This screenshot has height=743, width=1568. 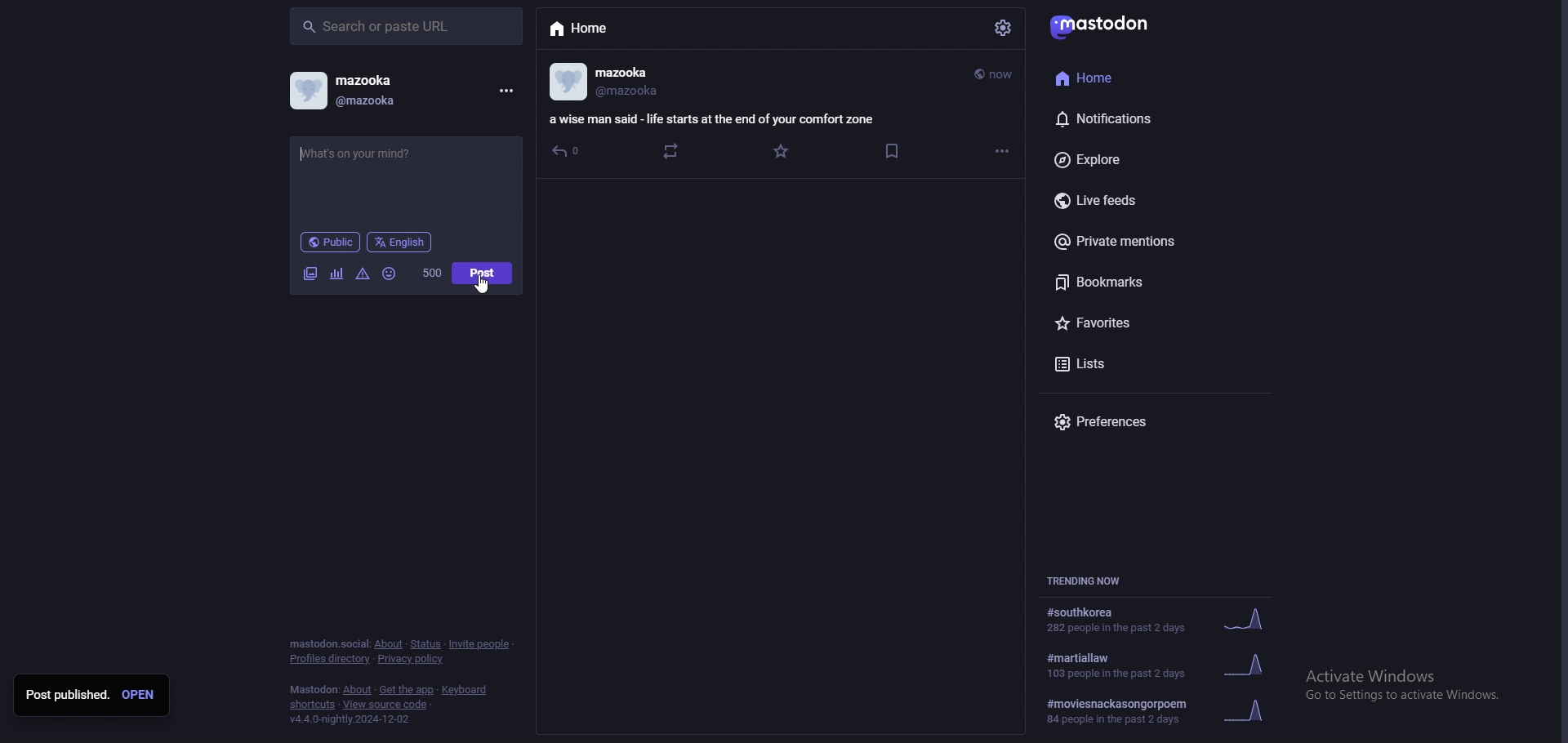 What do you see at coordinates (403, 180) in the screenshot?
I see `status` at bounding box center [403, 180].